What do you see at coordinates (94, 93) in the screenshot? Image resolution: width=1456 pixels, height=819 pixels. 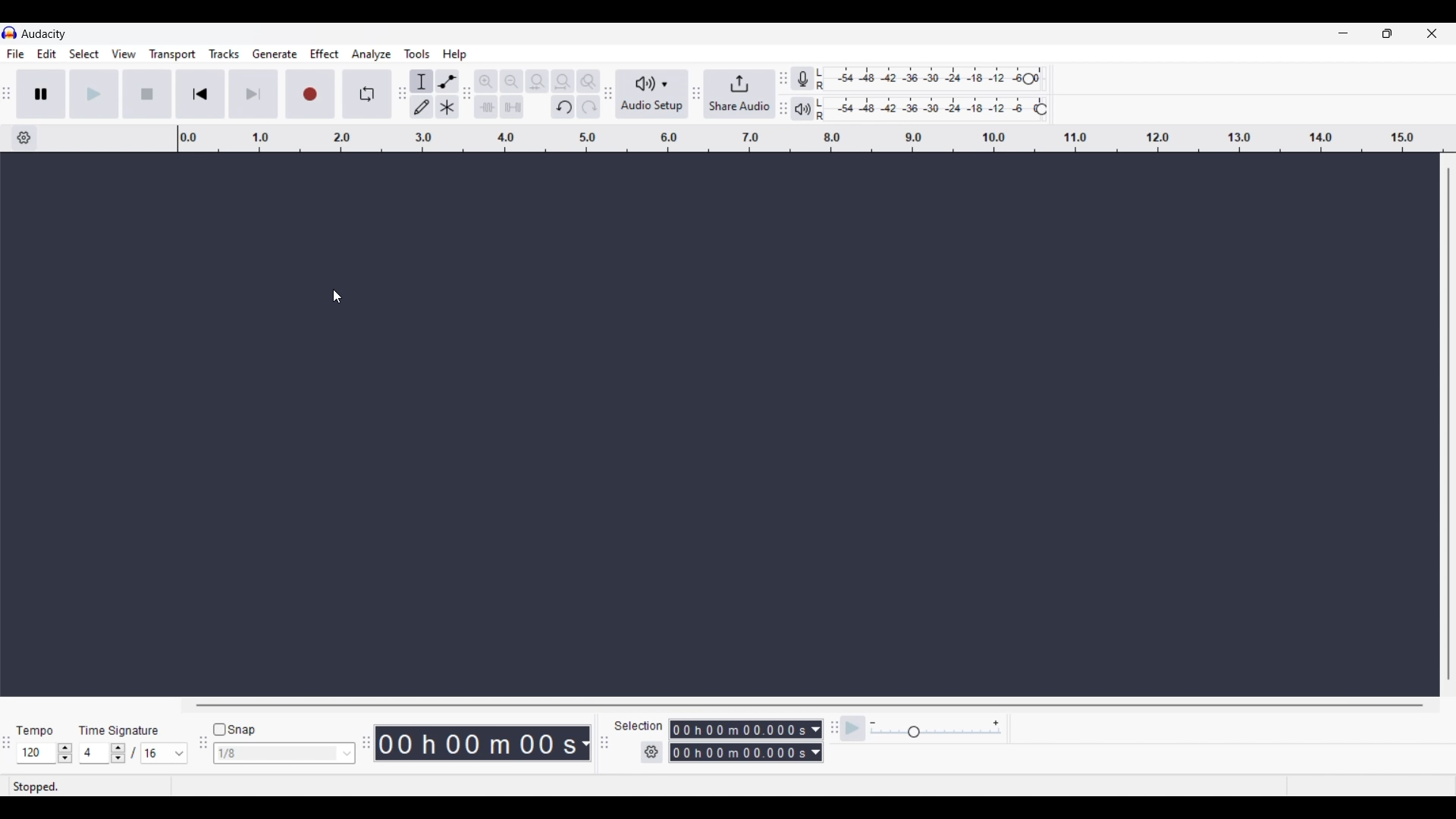 I see `Play/Play once` at bounding box center [94, 93].